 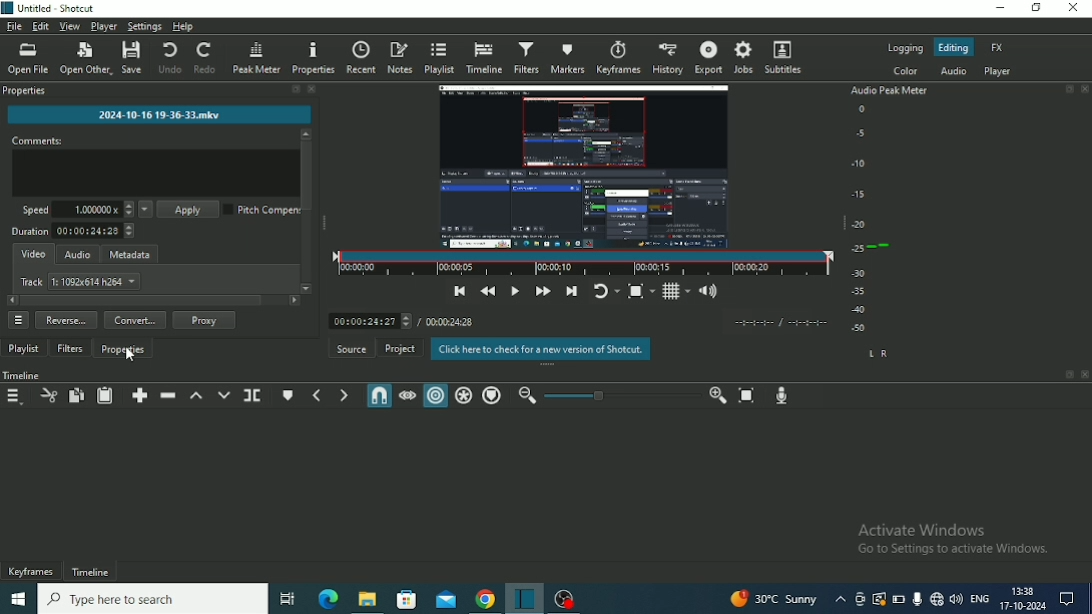 What do you see at coordinates (66, 320) in the screenshot?
I see `Reverse` at bounding box center [66, 320].